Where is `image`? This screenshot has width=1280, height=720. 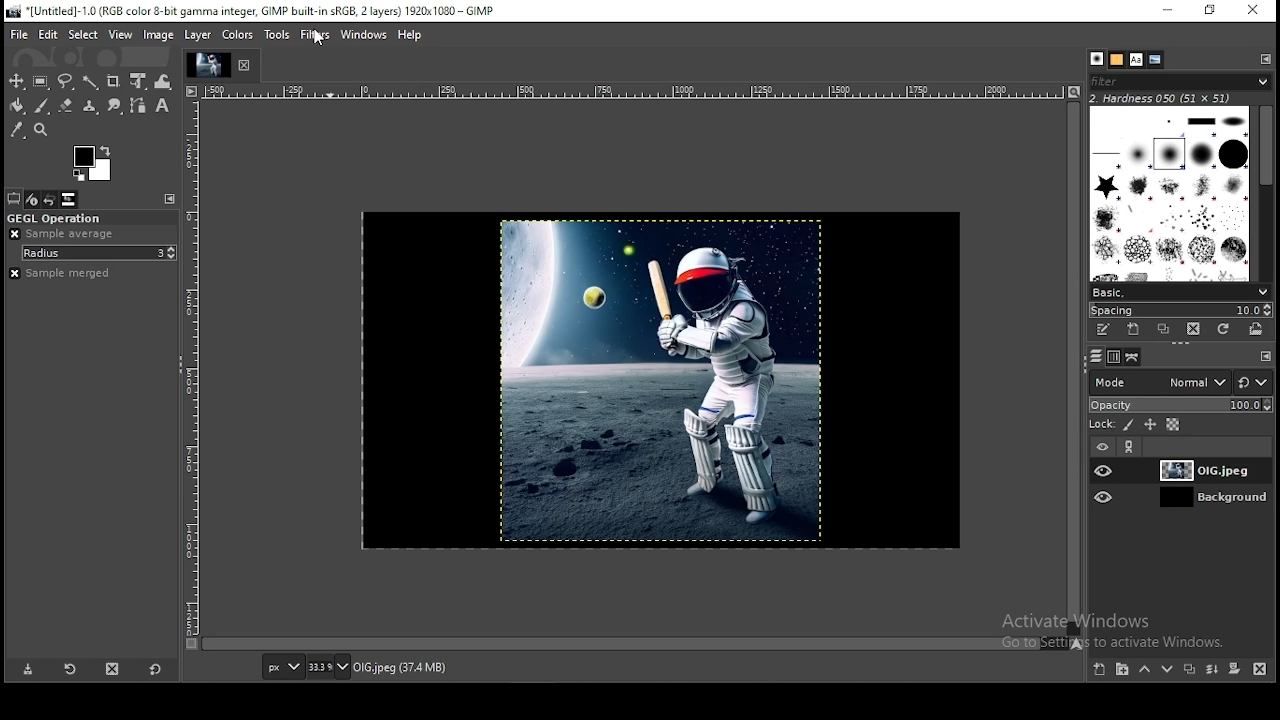 image is located at coordinates (664, 382).